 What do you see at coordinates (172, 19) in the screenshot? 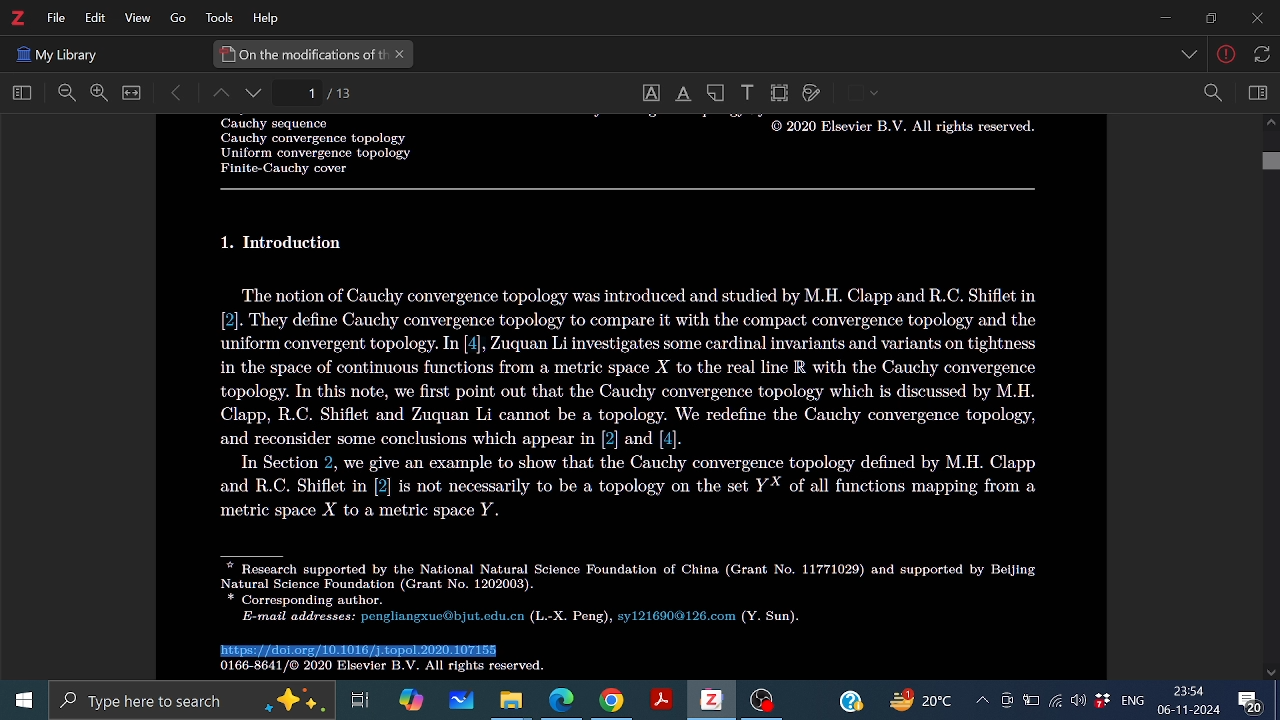
I see `` at bounding box center [172, 19].